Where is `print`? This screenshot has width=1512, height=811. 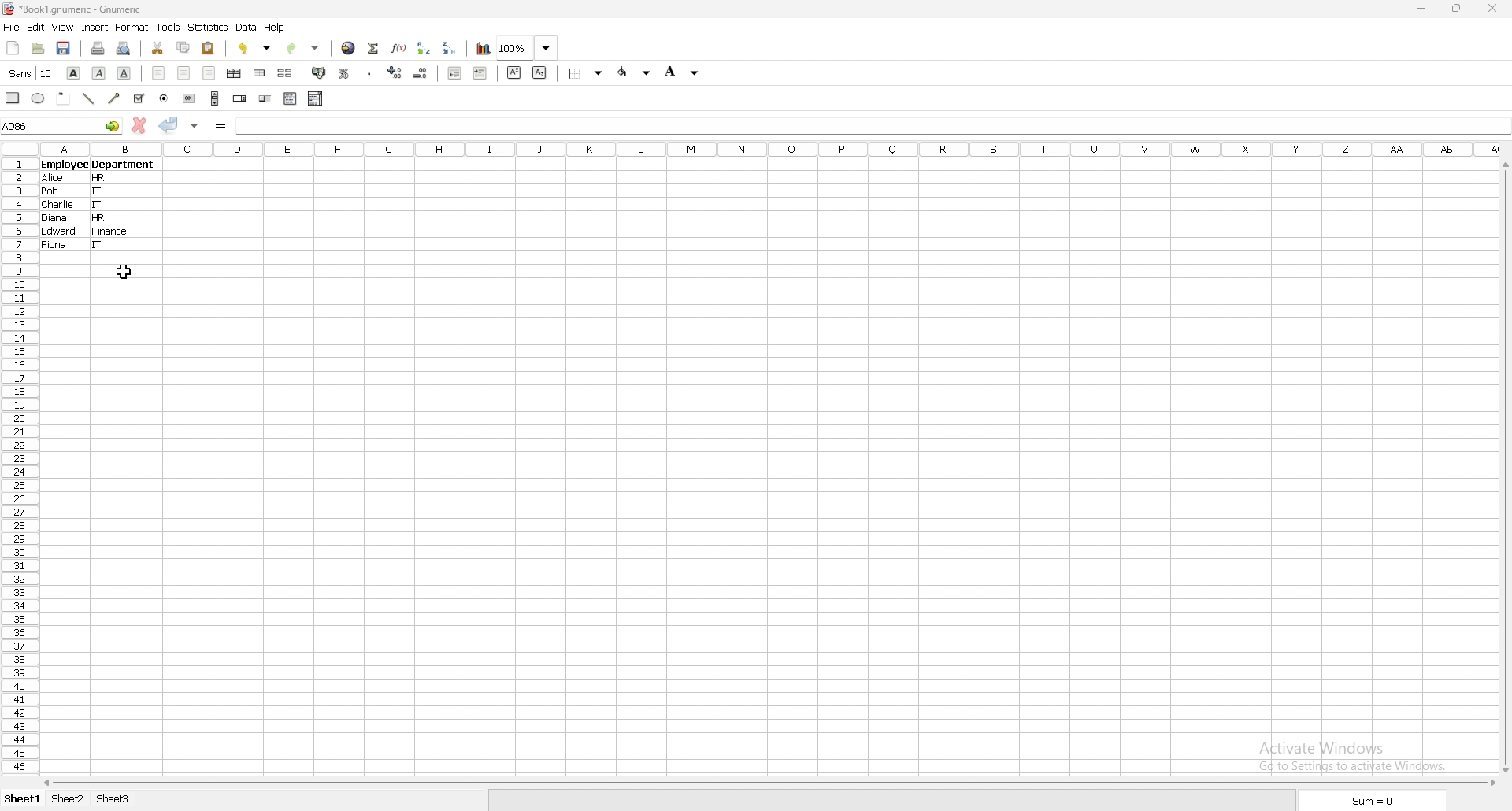
print is located at coordinates (98, 48).